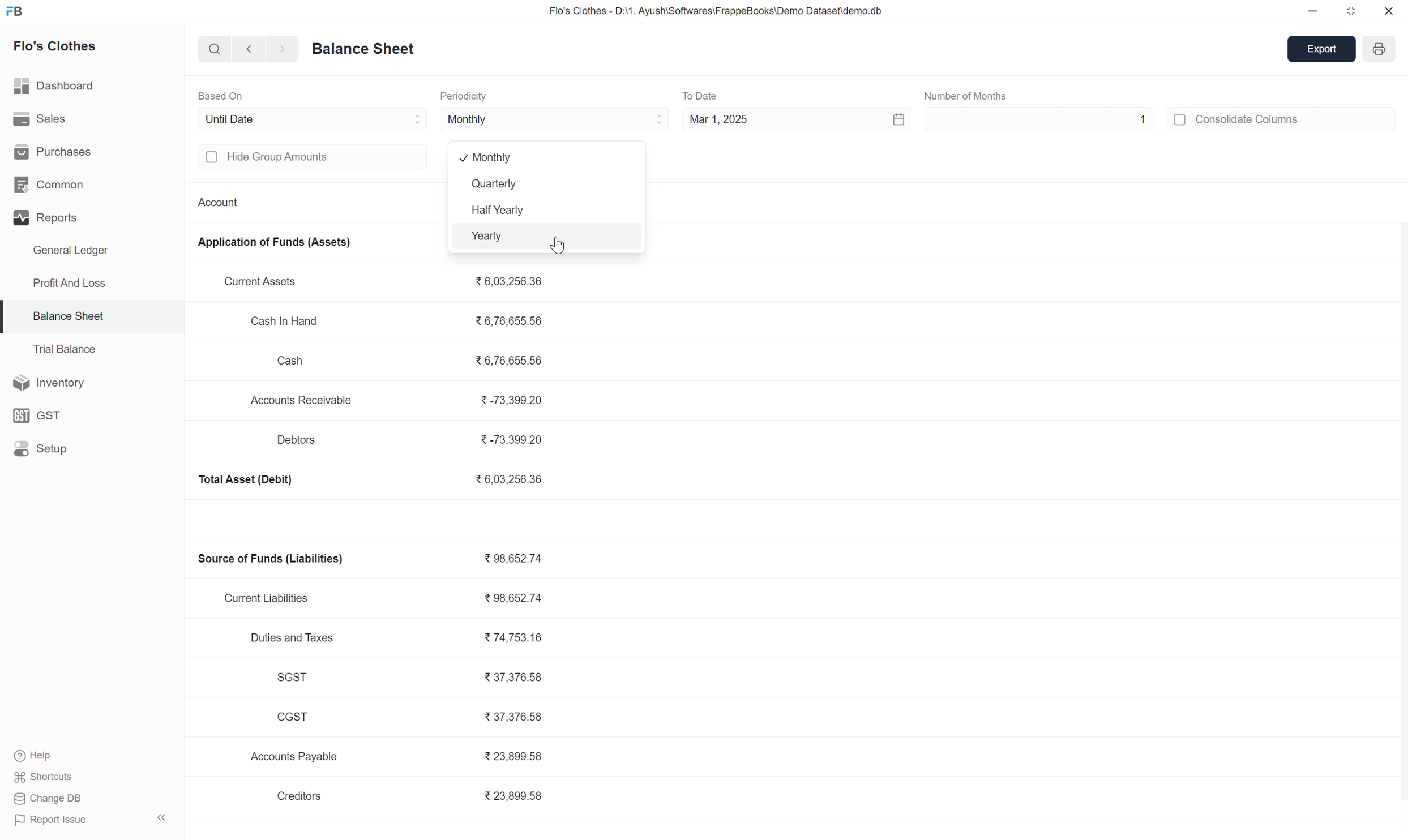 The image size is (1408, 840). Describe the element at coordinates (50, 121) in the screenshot. I see `Sales` at that location.